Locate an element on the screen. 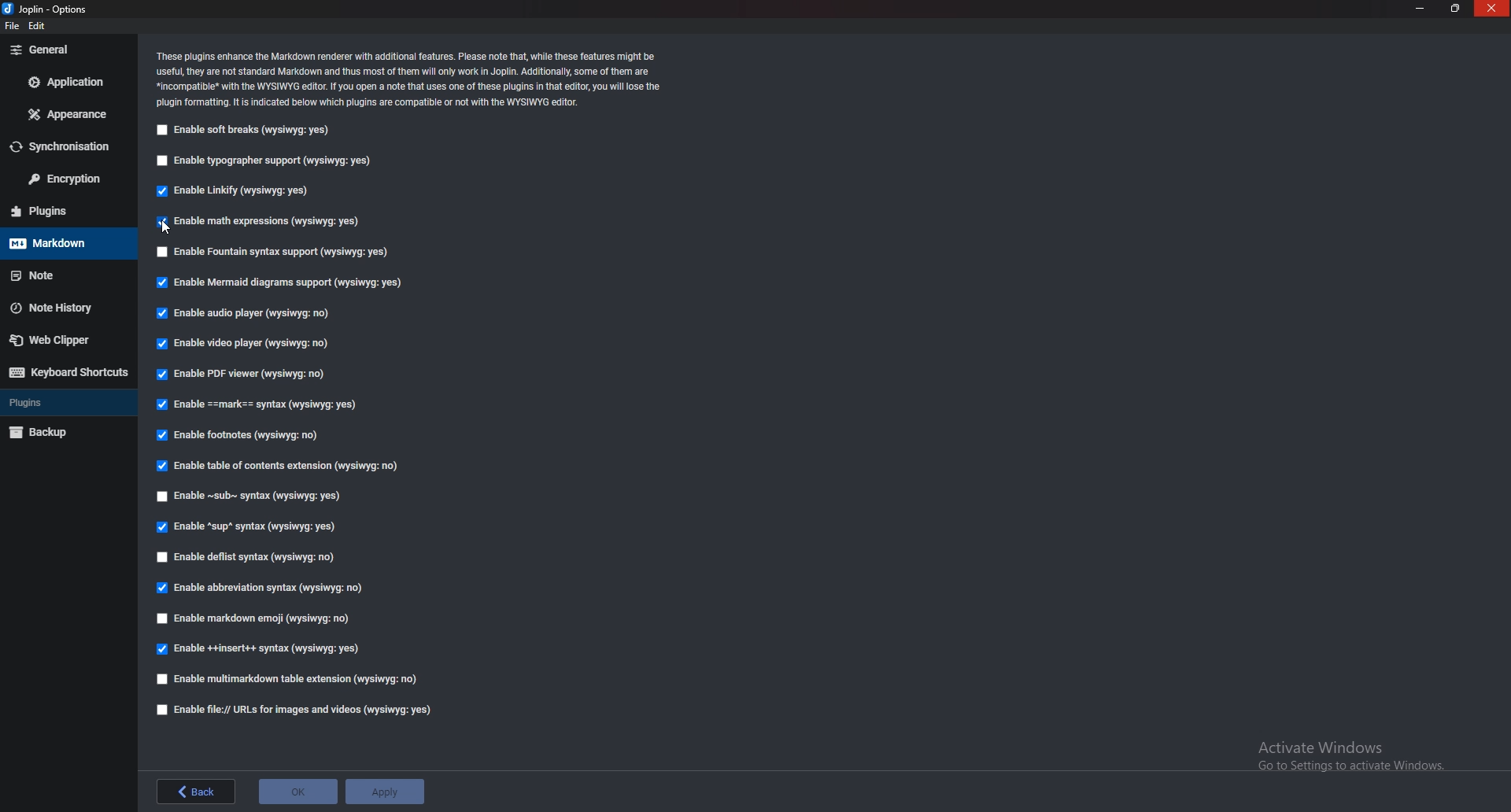 The width and height of the screenshot is (1511, 812). close is located at coordinates (1491, 9).